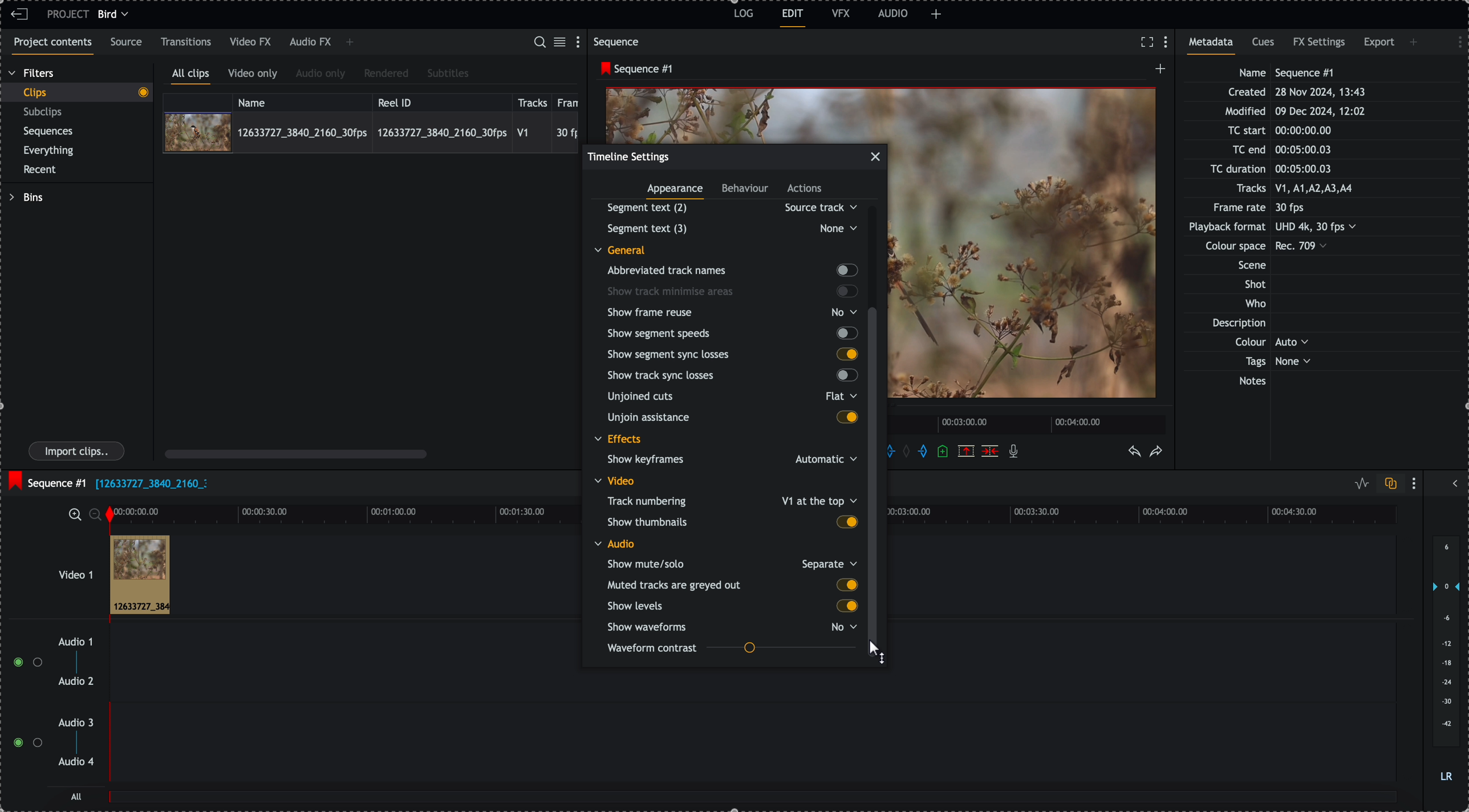 Image resolution: width=1469 pixels, height=812 pixels. What do you see at coordinates (628, 249) in the screenshot?
I see `general` at bounding box center [628, 249].